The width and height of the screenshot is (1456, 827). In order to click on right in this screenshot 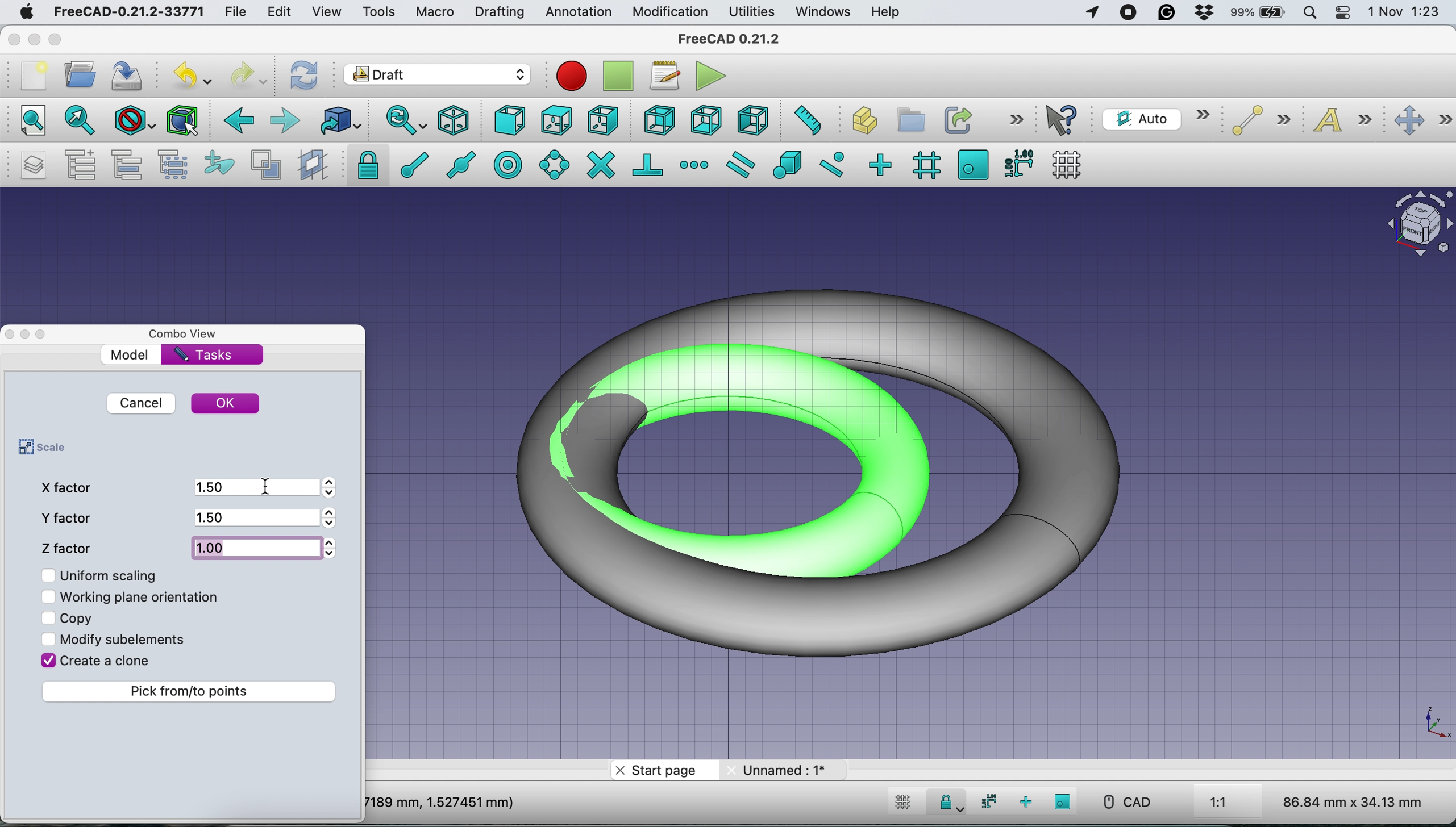, I will do `click(602, 122)`.